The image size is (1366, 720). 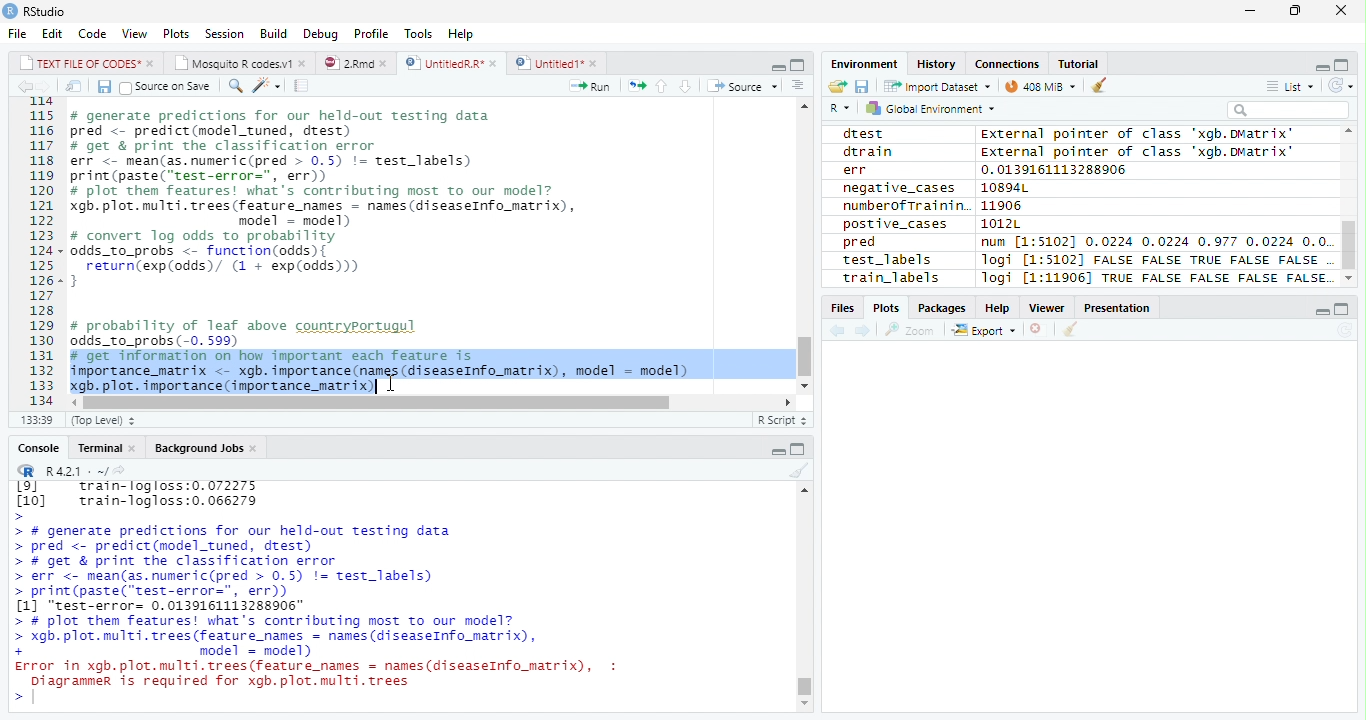 What do you see at coordinates (591, 85) in the screenshot?
I see `Run` at bounding box center [591, 85].